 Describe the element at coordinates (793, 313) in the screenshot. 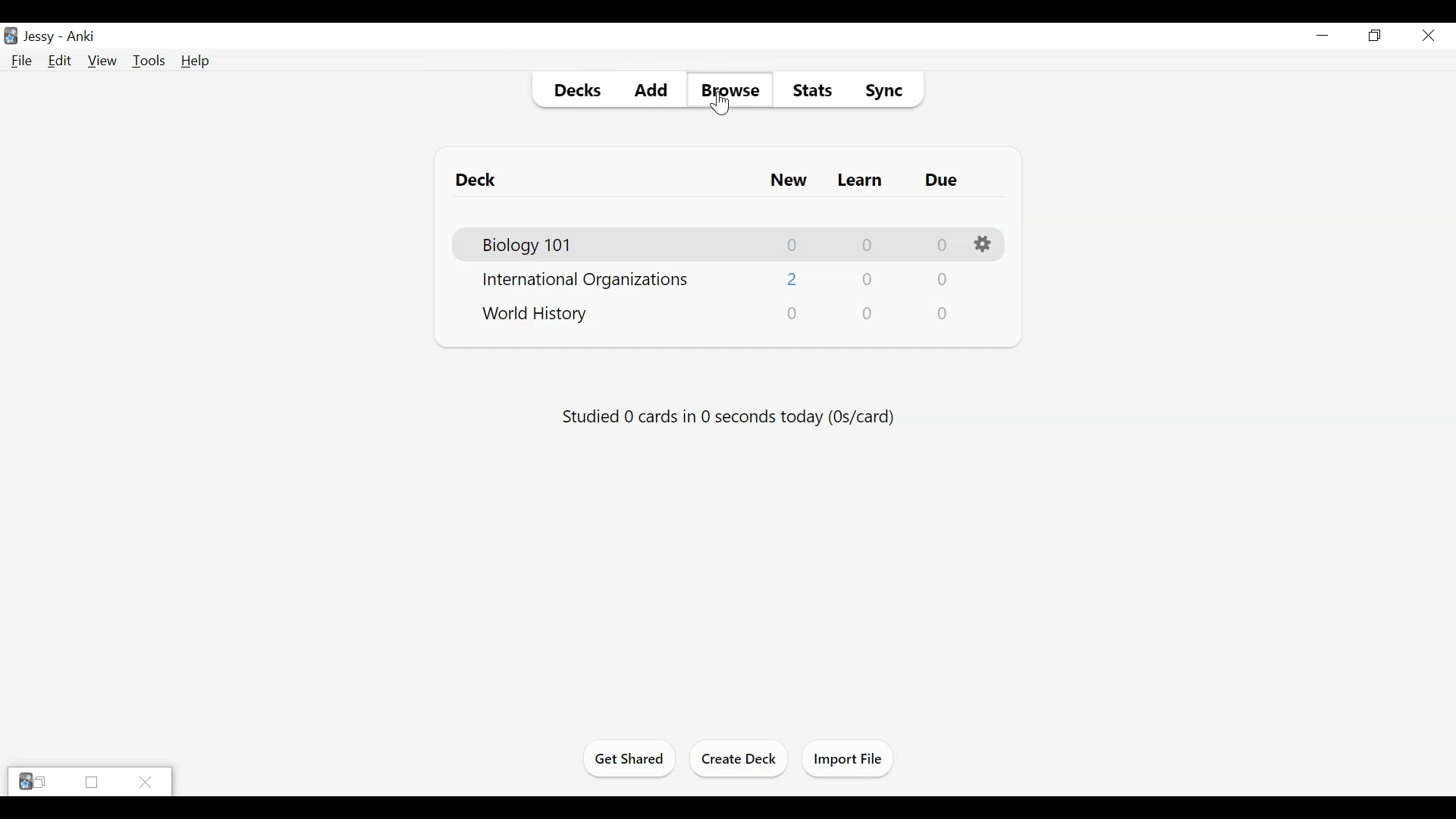

I see `New Card Count` at that location.